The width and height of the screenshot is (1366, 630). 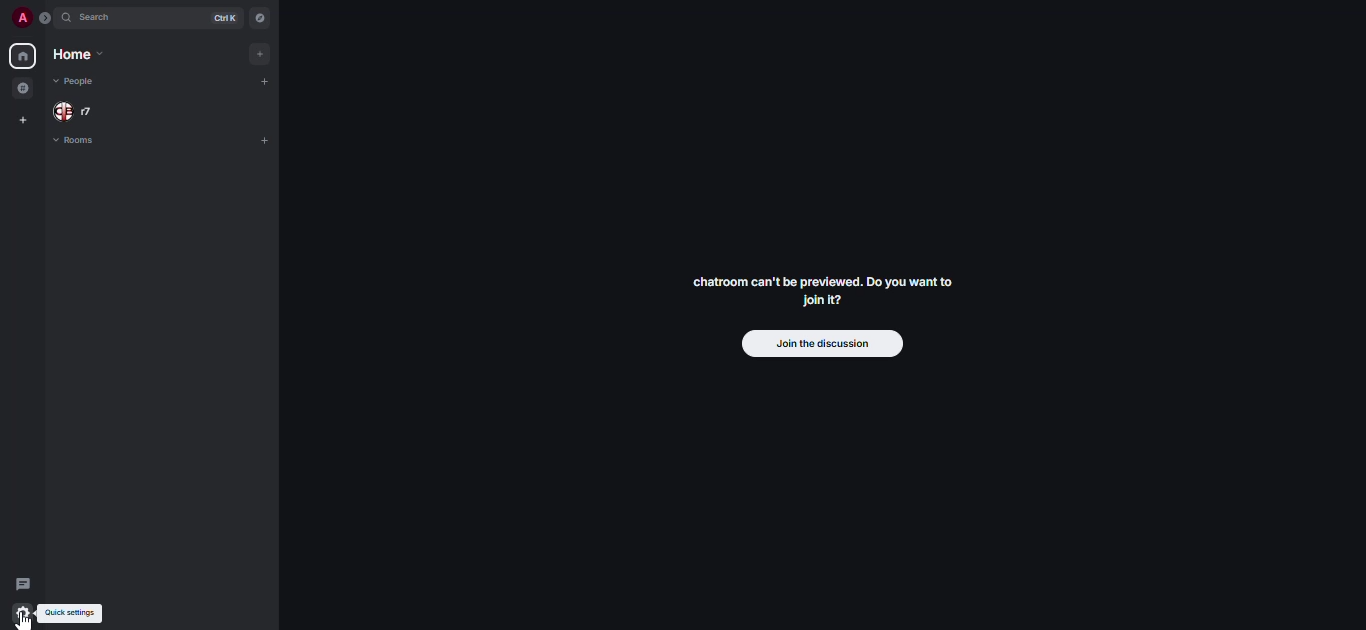 What do you see at coordinates (101, 20) in the screenshot?
I see `search` at bounding box center [101, 20].